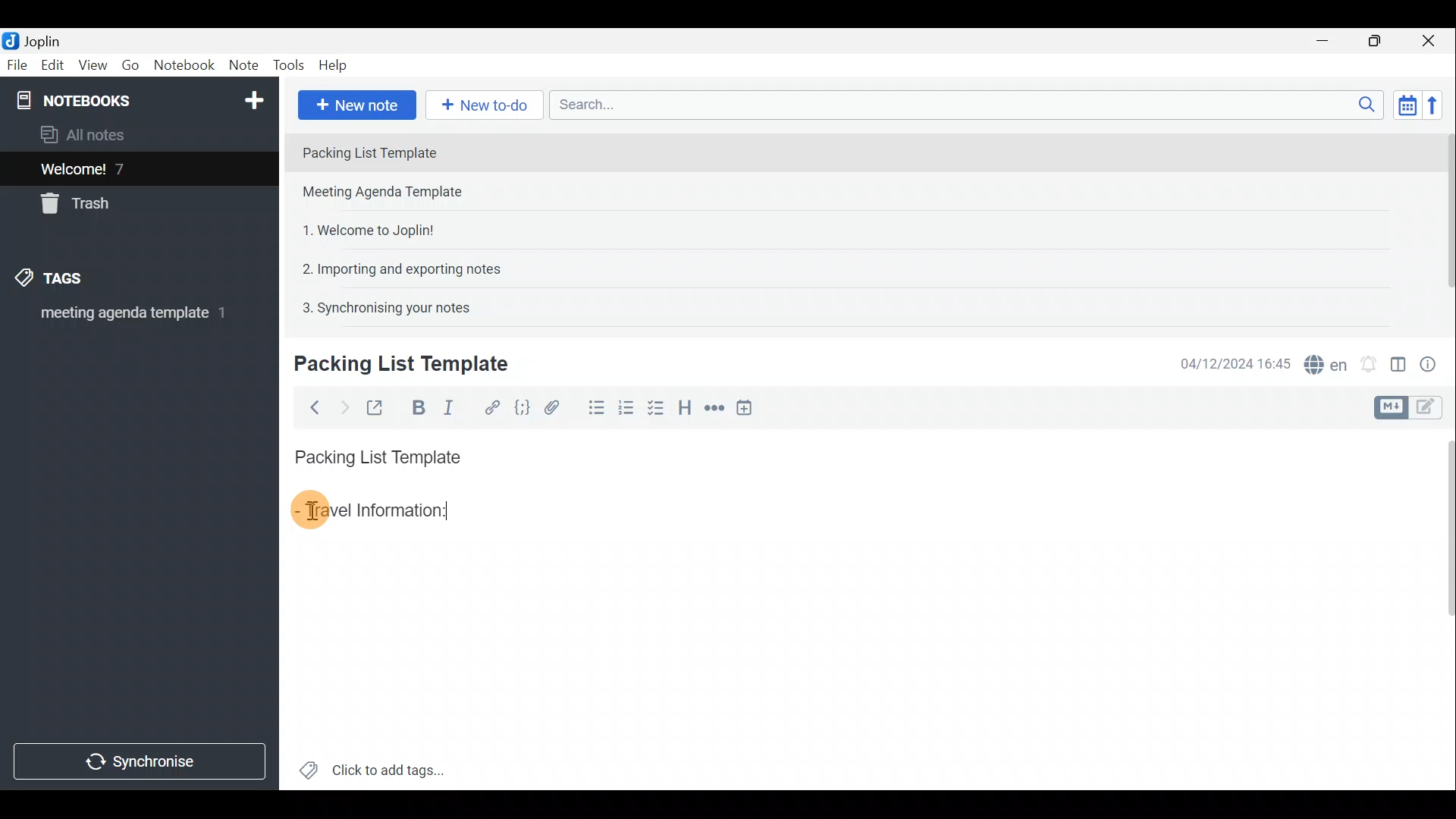 The height and width of the screenshot is (819, 1456). What do you see at coordinates (376, 406) in the screenshot?
I see `Toggle external editing` at bounding box center [376, 406].